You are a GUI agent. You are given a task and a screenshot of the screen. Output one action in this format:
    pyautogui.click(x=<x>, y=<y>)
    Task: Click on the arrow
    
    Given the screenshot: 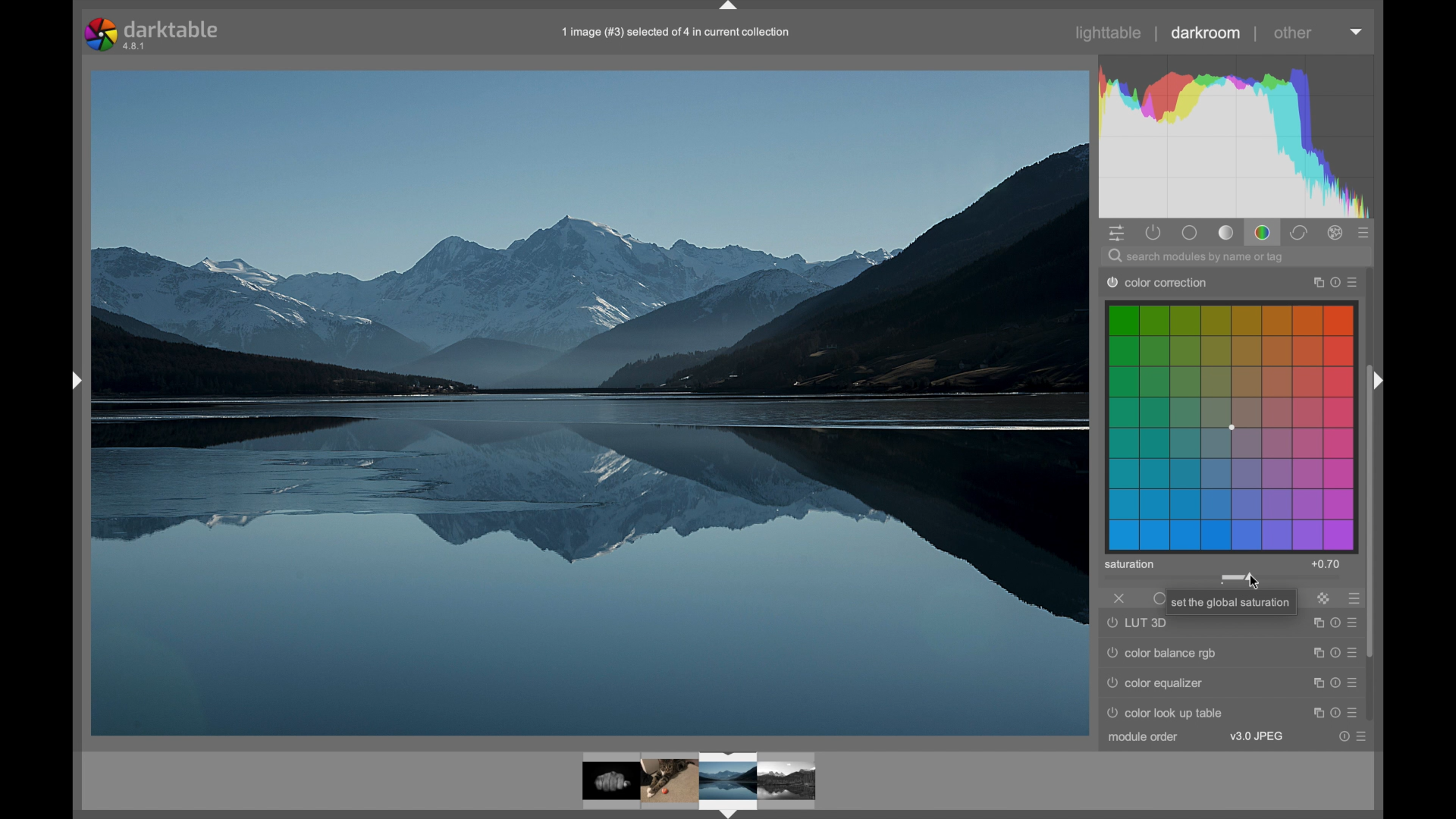 What is the action you would take?
    pyautogui.click(x=1378, y=380)
    